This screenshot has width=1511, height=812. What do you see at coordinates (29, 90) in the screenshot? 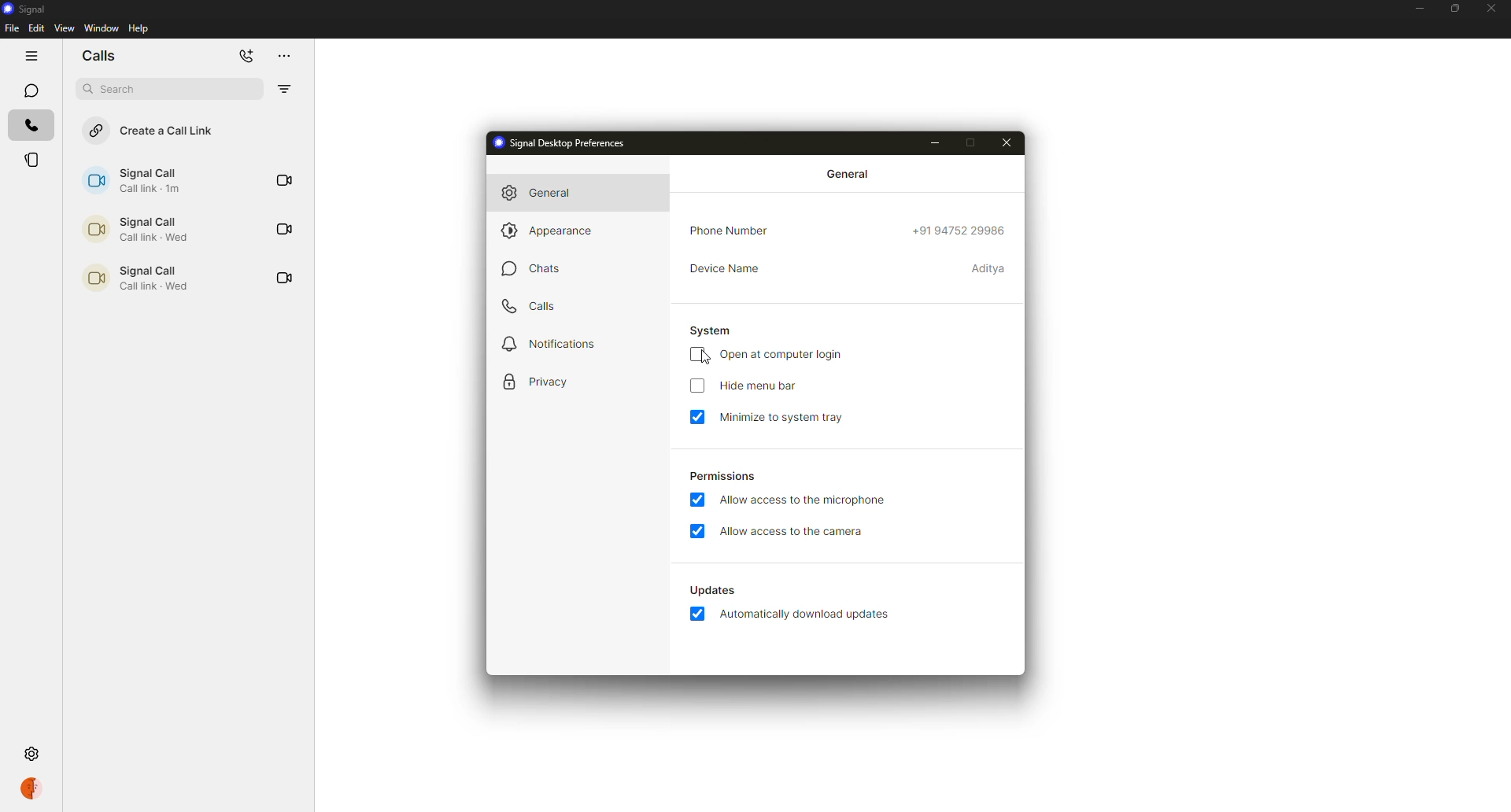
I see `chats` at bounding box center [29, 90].